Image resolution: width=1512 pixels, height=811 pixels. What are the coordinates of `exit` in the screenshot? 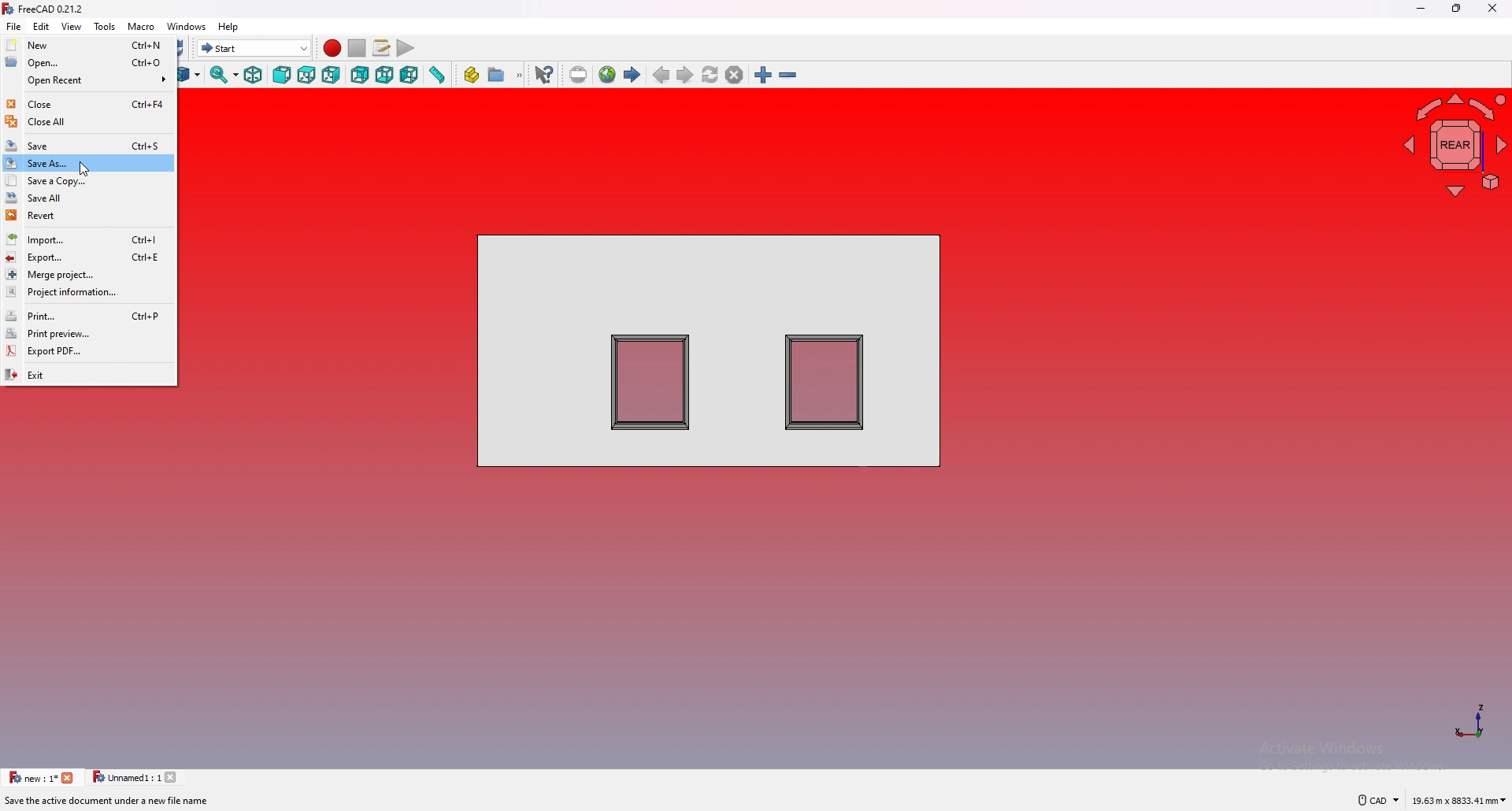 It's located at (88, 373).